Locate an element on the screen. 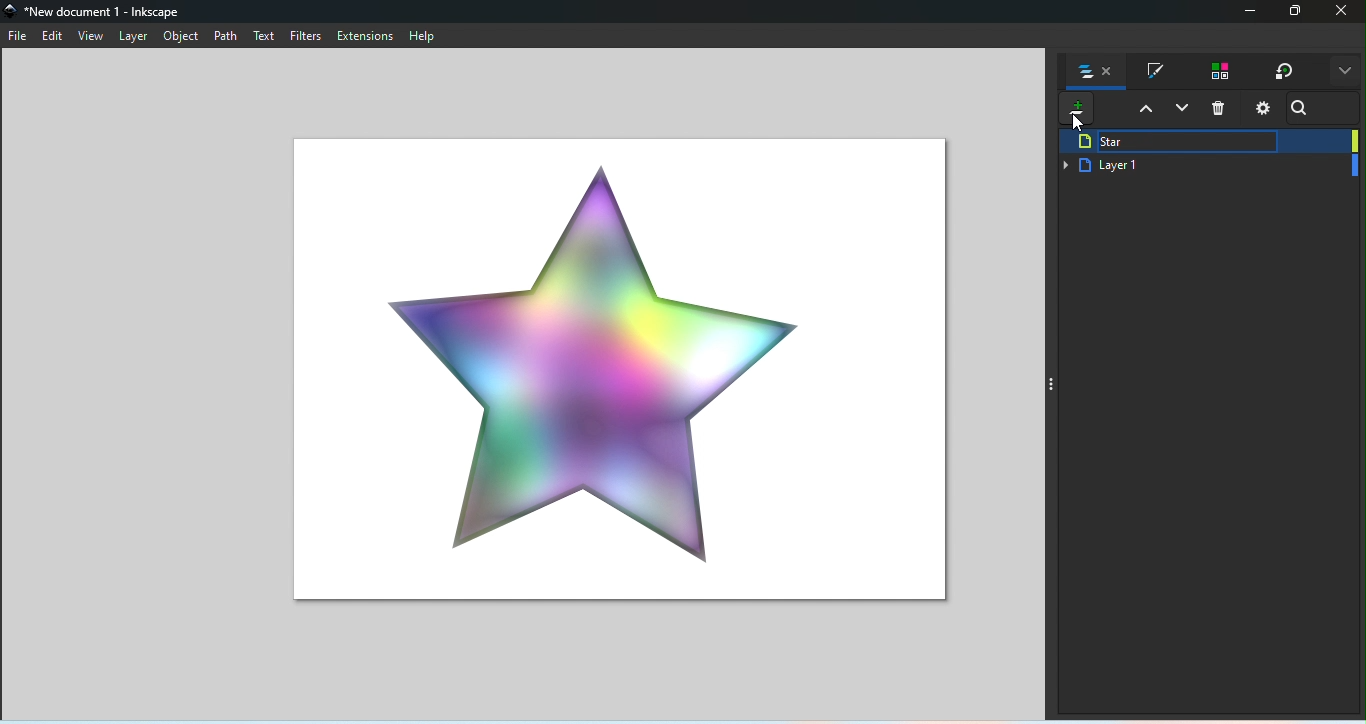 This screenshot has width=1366, height=724. Search bar is located at coordinates (1307, 113).